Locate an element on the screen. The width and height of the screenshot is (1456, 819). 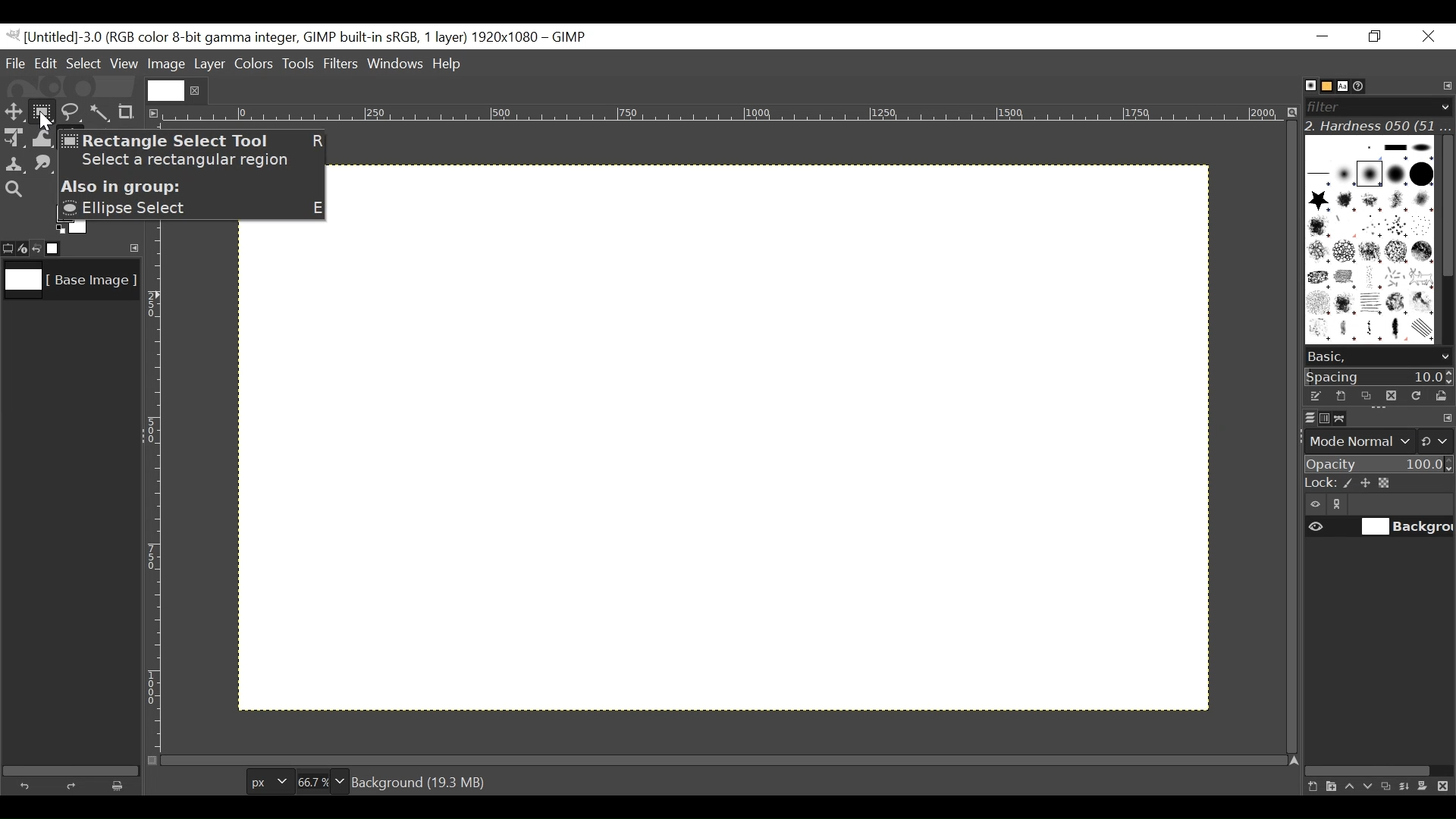
Image is located at coordinates (166, 64).